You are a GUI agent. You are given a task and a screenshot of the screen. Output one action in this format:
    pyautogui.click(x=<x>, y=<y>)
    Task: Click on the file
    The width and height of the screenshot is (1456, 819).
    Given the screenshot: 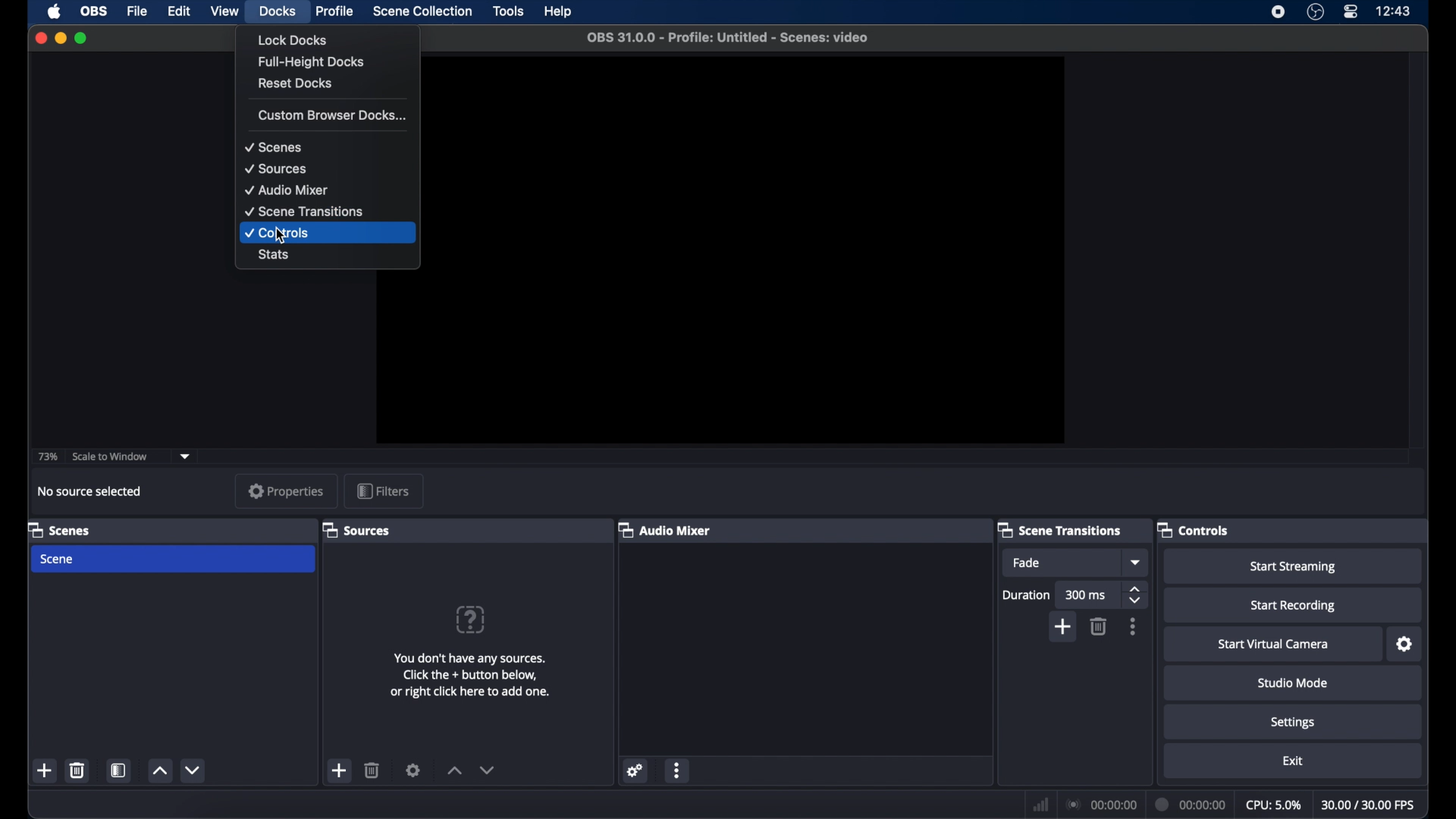 What is the action you would take?
    pyautogui.click(x=138, y=12)
    